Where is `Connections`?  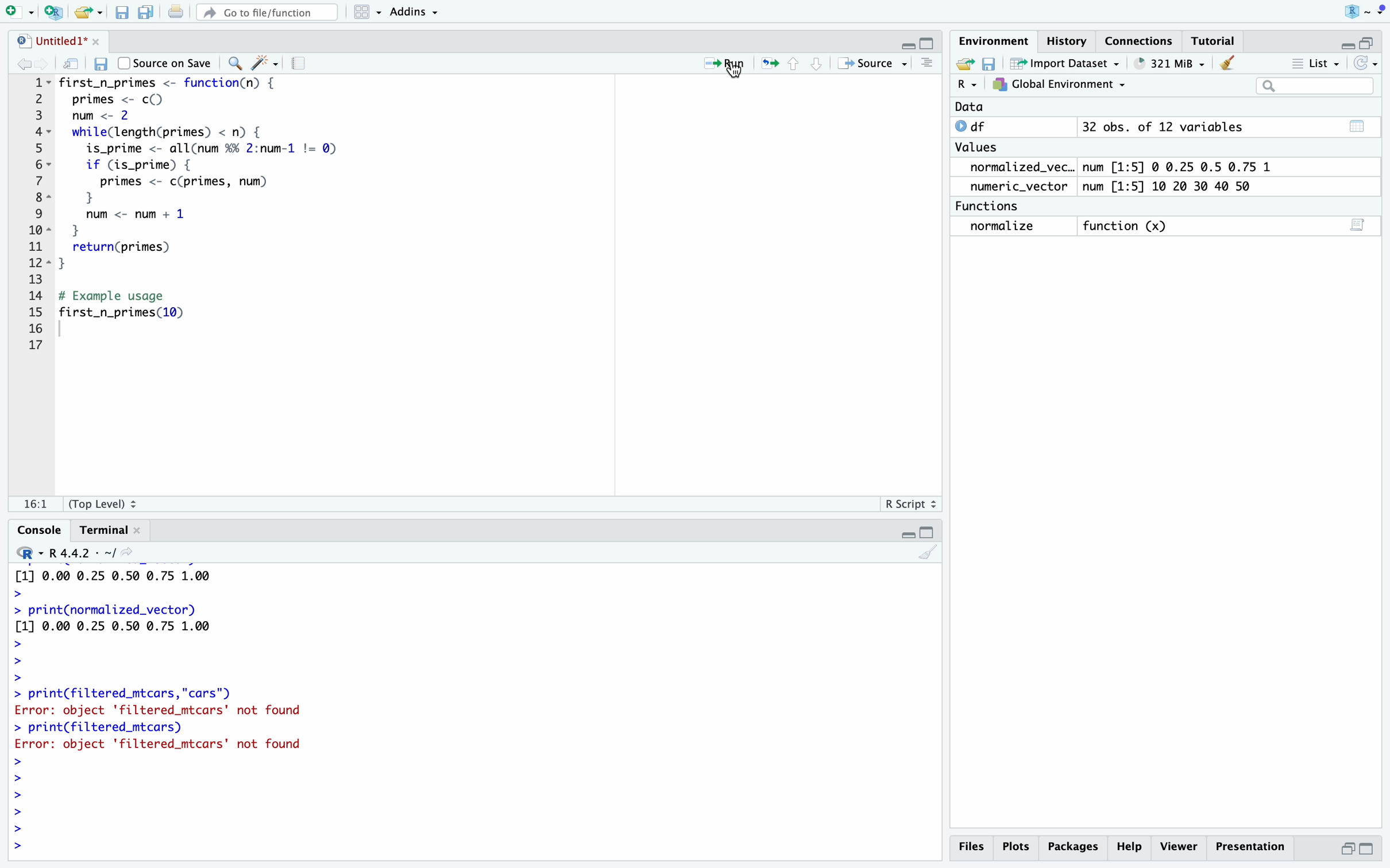 Connections is located at coordinates (1143, 40).